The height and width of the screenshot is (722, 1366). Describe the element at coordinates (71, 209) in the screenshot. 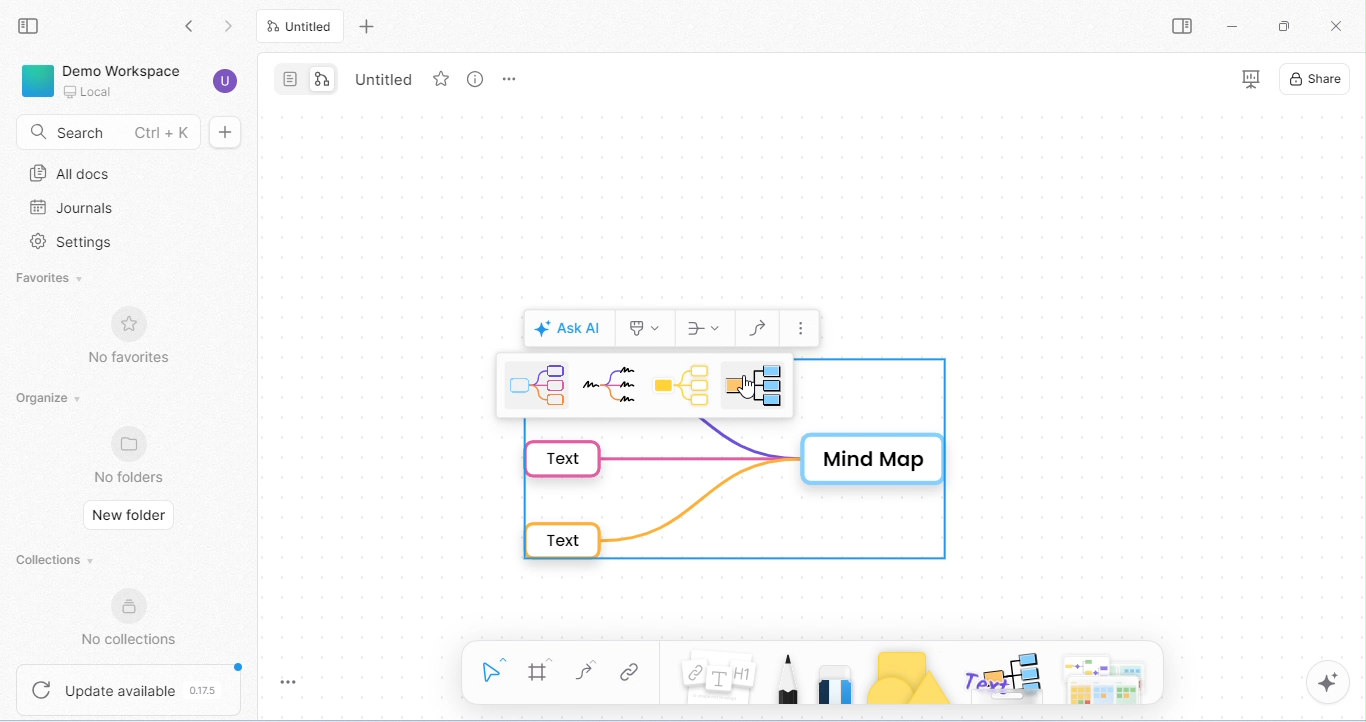

I see `journal` at that location.